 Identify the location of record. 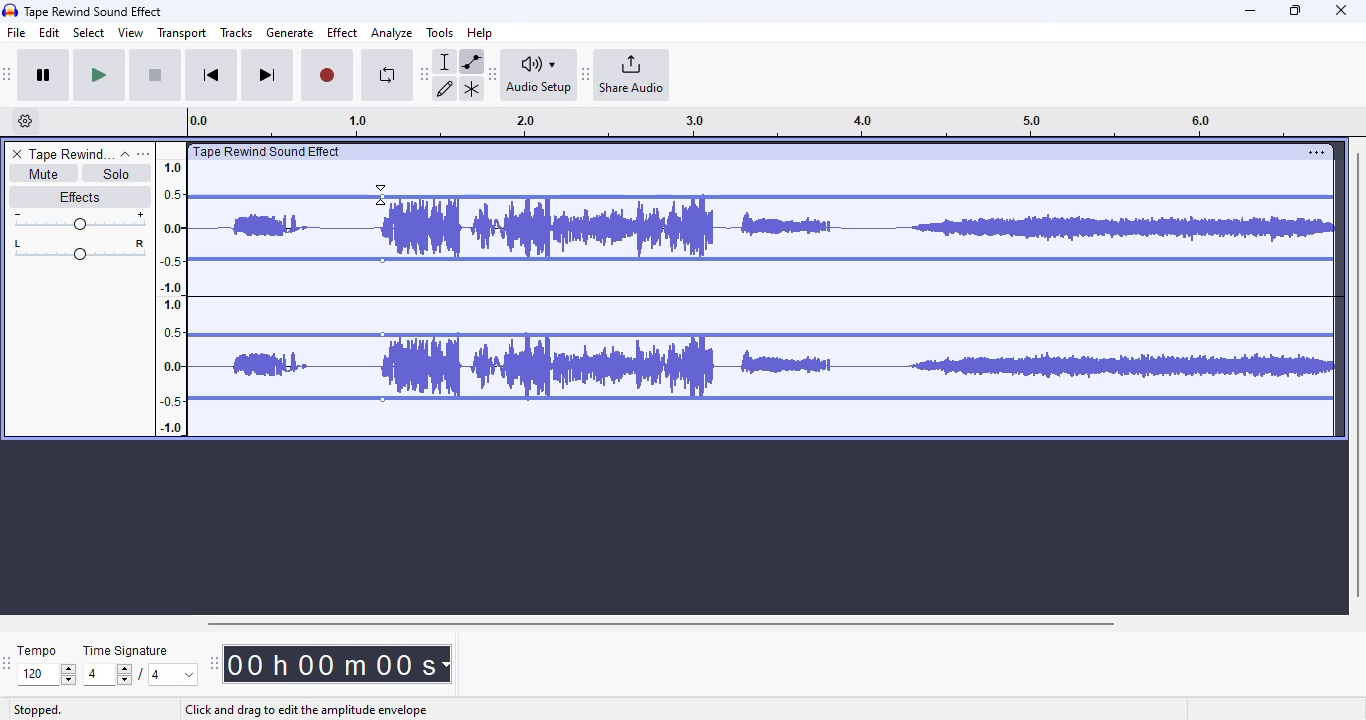
(327, 76).